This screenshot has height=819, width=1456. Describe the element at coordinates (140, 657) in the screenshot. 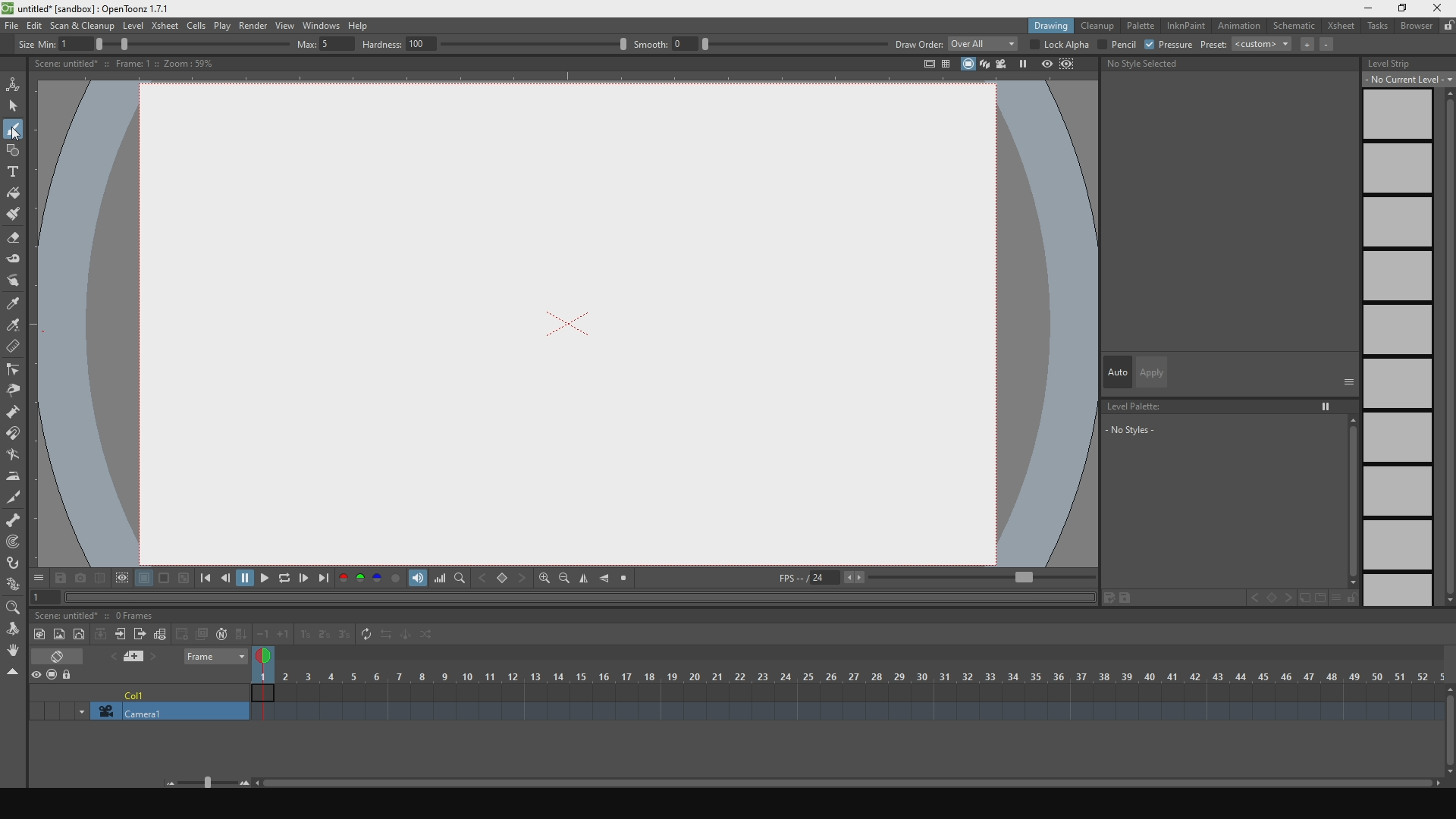

I see `previous and next file` at that location.